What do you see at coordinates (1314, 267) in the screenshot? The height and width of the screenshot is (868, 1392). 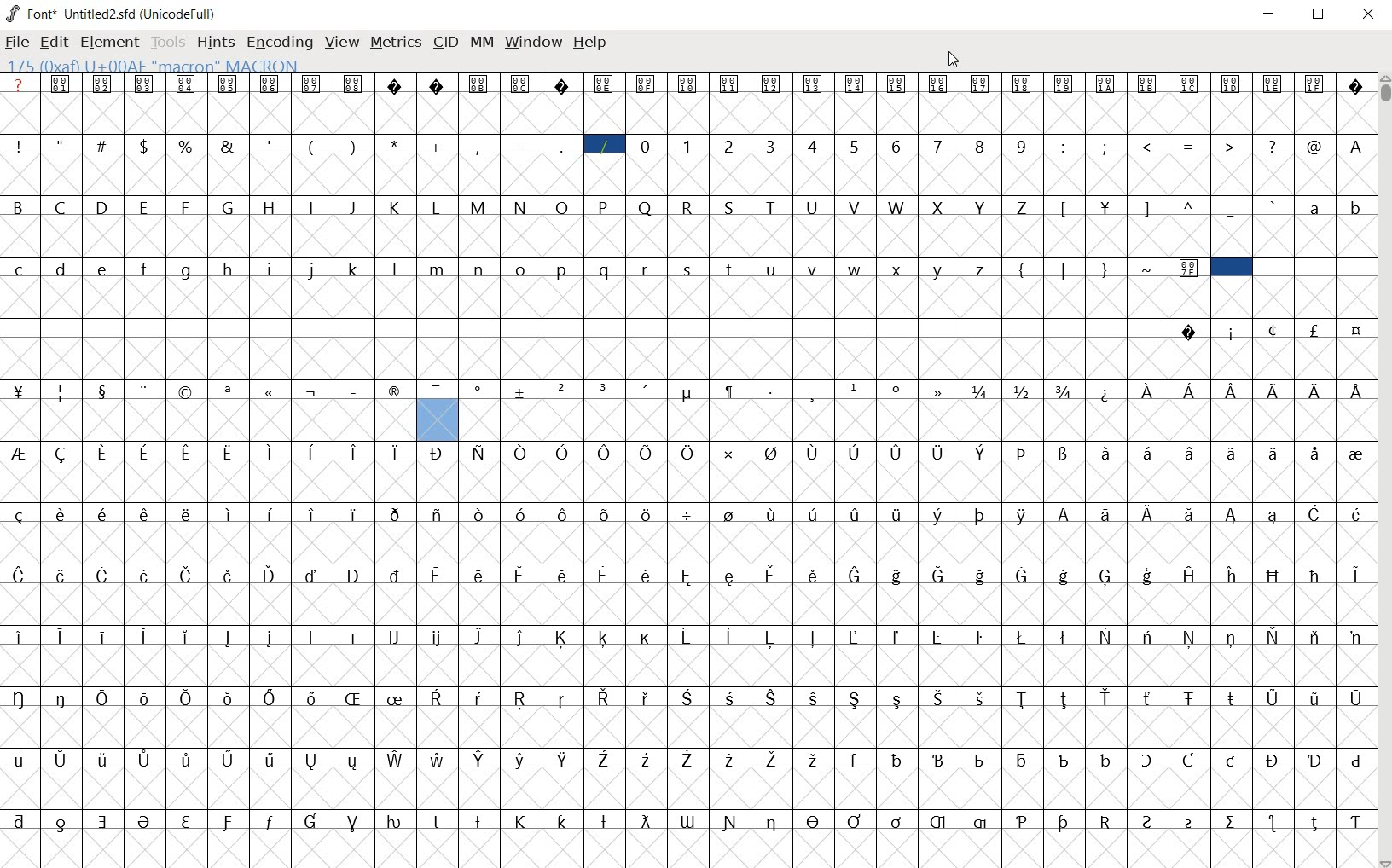 I see `empty spaces` at bounding box center [1314, 267].